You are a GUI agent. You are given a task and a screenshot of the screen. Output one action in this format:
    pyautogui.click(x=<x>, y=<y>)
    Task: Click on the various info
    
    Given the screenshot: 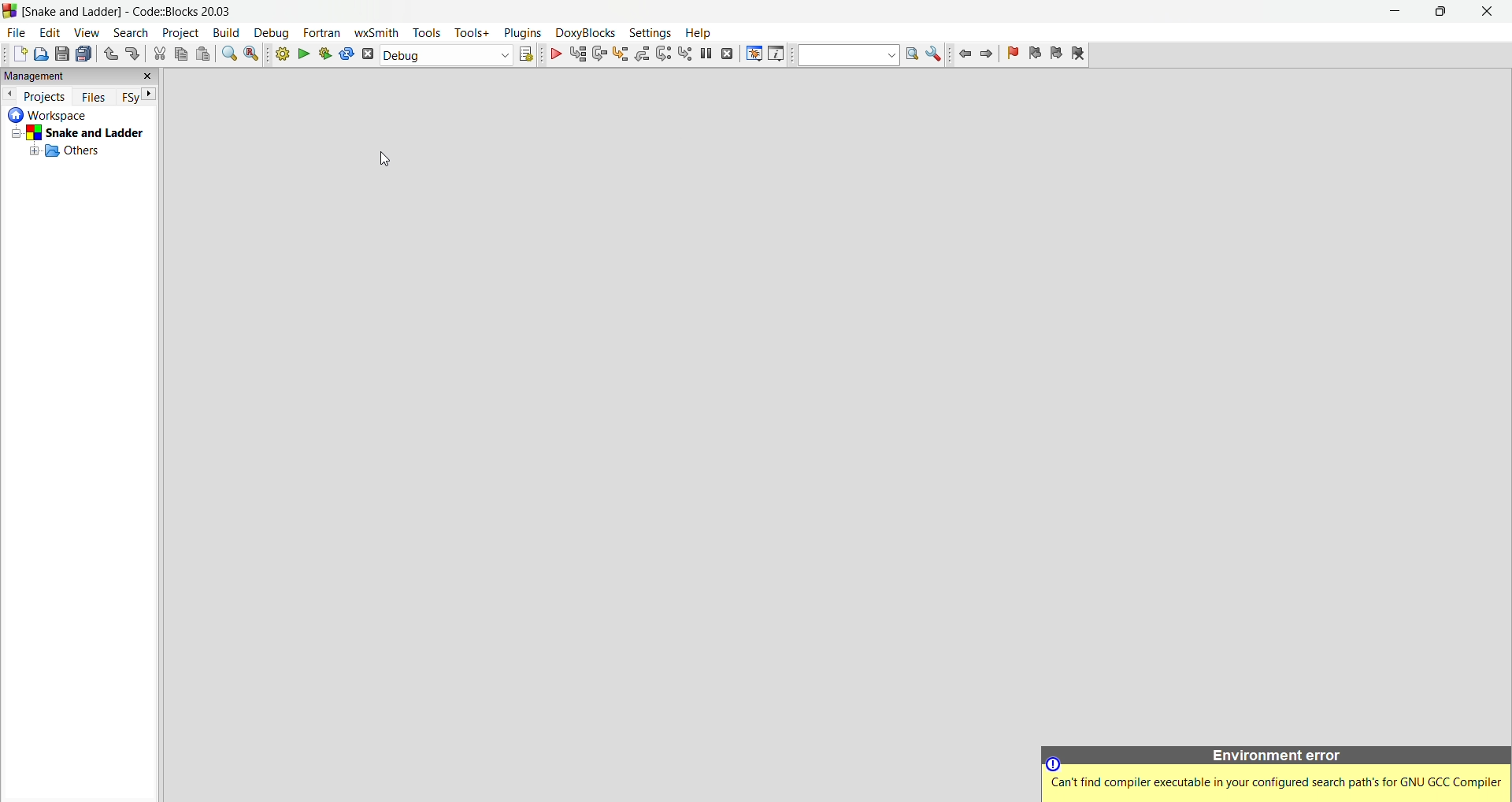 What is the action you would take?
    pyautogui.click(x=776, y=54)
    